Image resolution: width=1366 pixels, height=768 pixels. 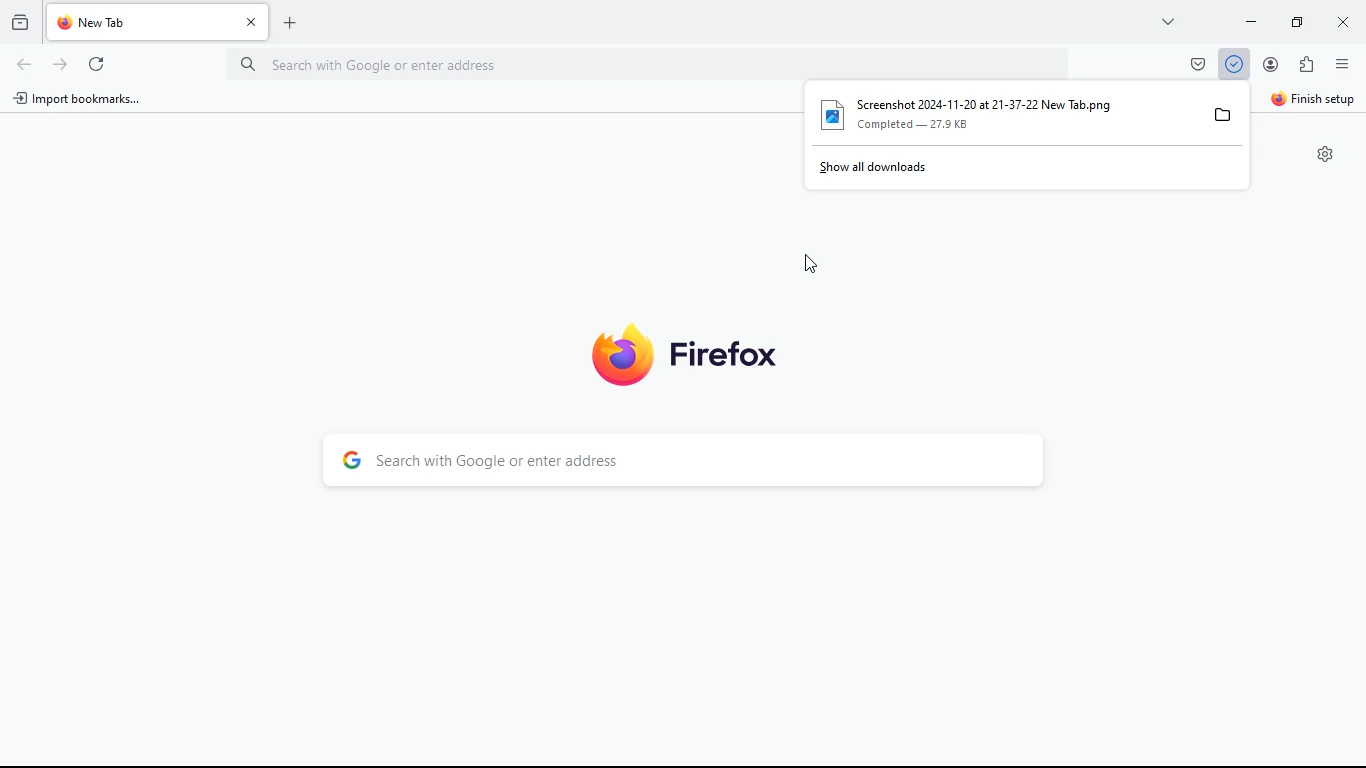 What do you see at coordinates (1312, 101) in the screenshot?
I see `finish setup` at bounding box center [1312, 101].